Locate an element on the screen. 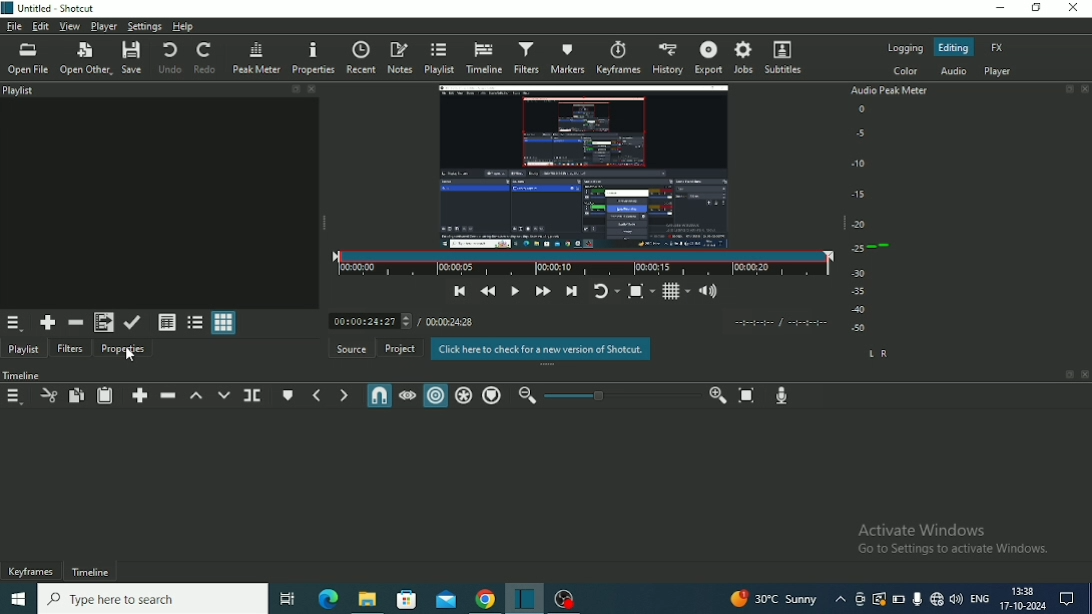  Notifications is located at coordinates (1067, 599).